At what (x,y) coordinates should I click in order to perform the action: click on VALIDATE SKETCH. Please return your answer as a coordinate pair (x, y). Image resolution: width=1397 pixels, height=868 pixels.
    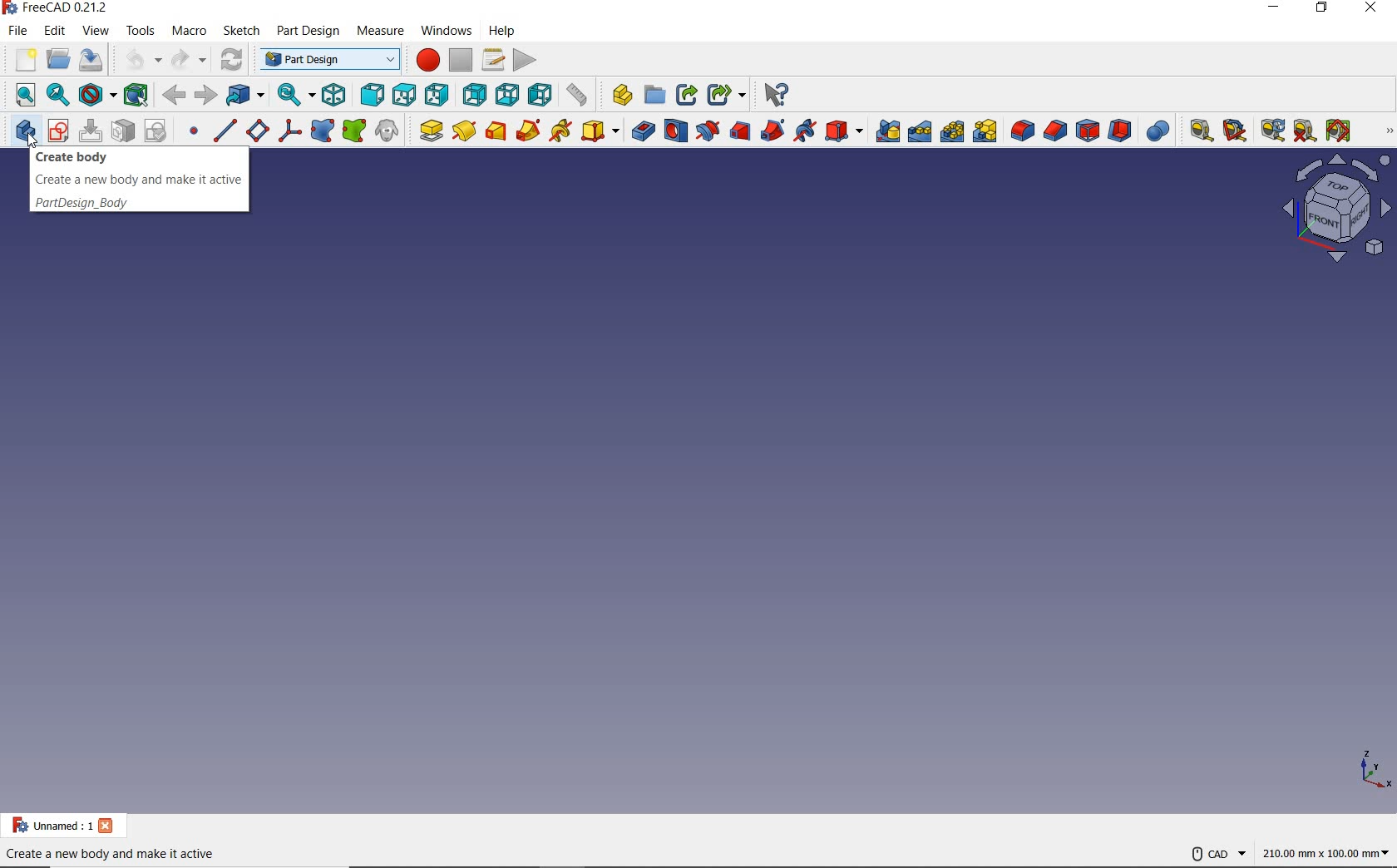
    Looking at the image, I should click on (155, 131).